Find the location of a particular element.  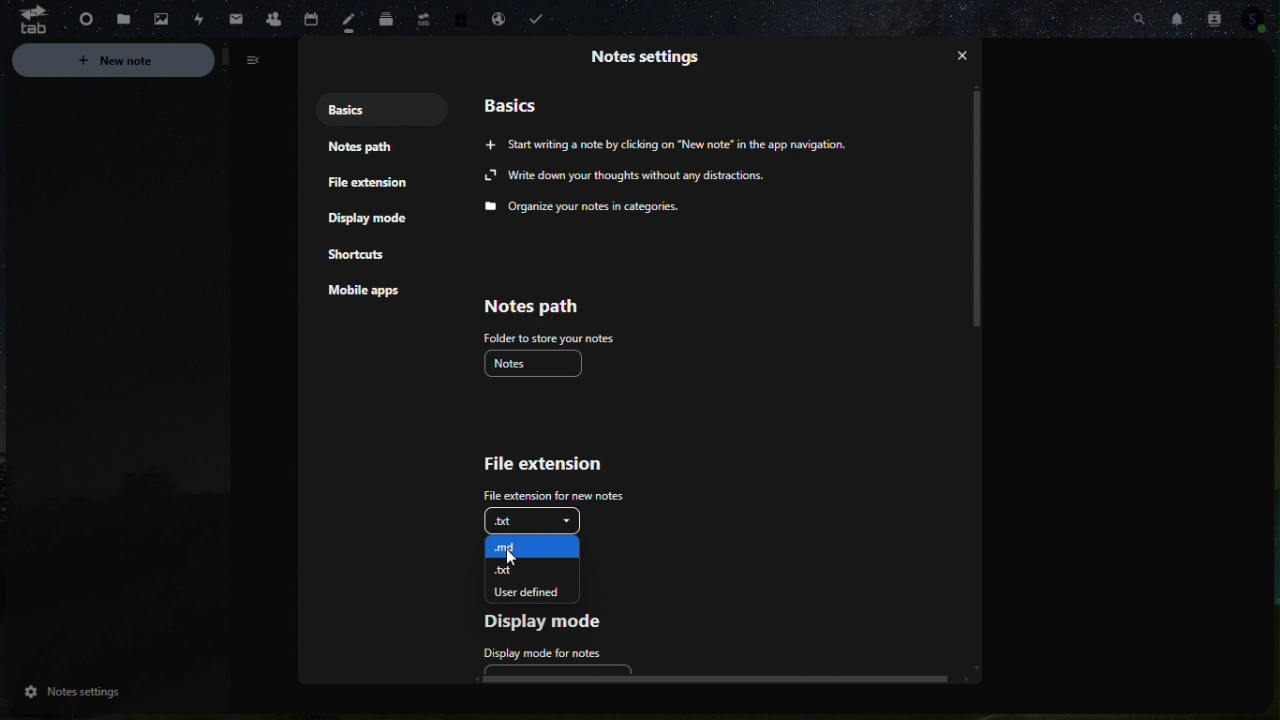

Contacts is located at coordinates (271, 16).